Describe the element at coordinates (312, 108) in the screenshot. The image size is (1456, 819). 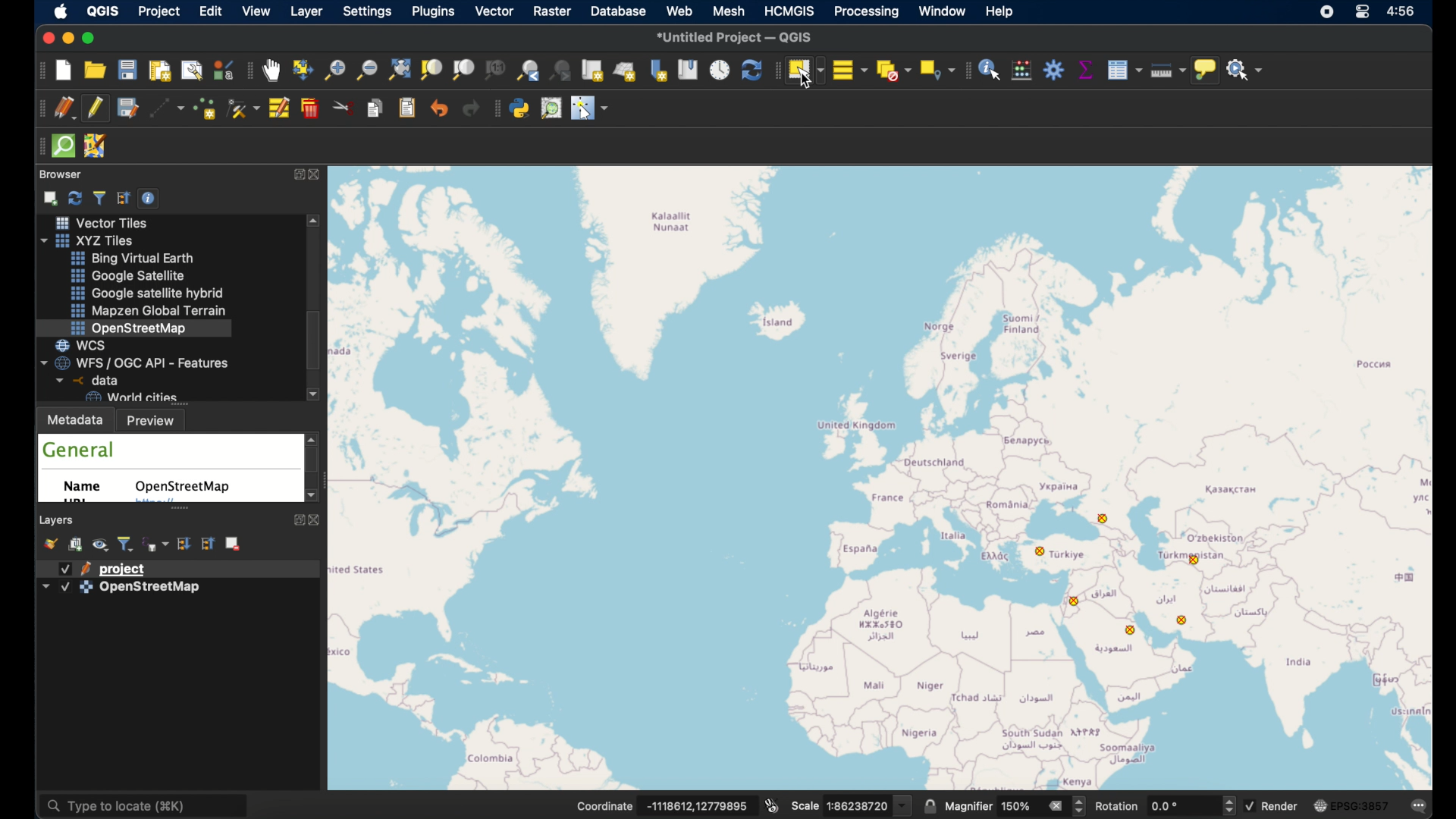
I see `delete selected` at that location.